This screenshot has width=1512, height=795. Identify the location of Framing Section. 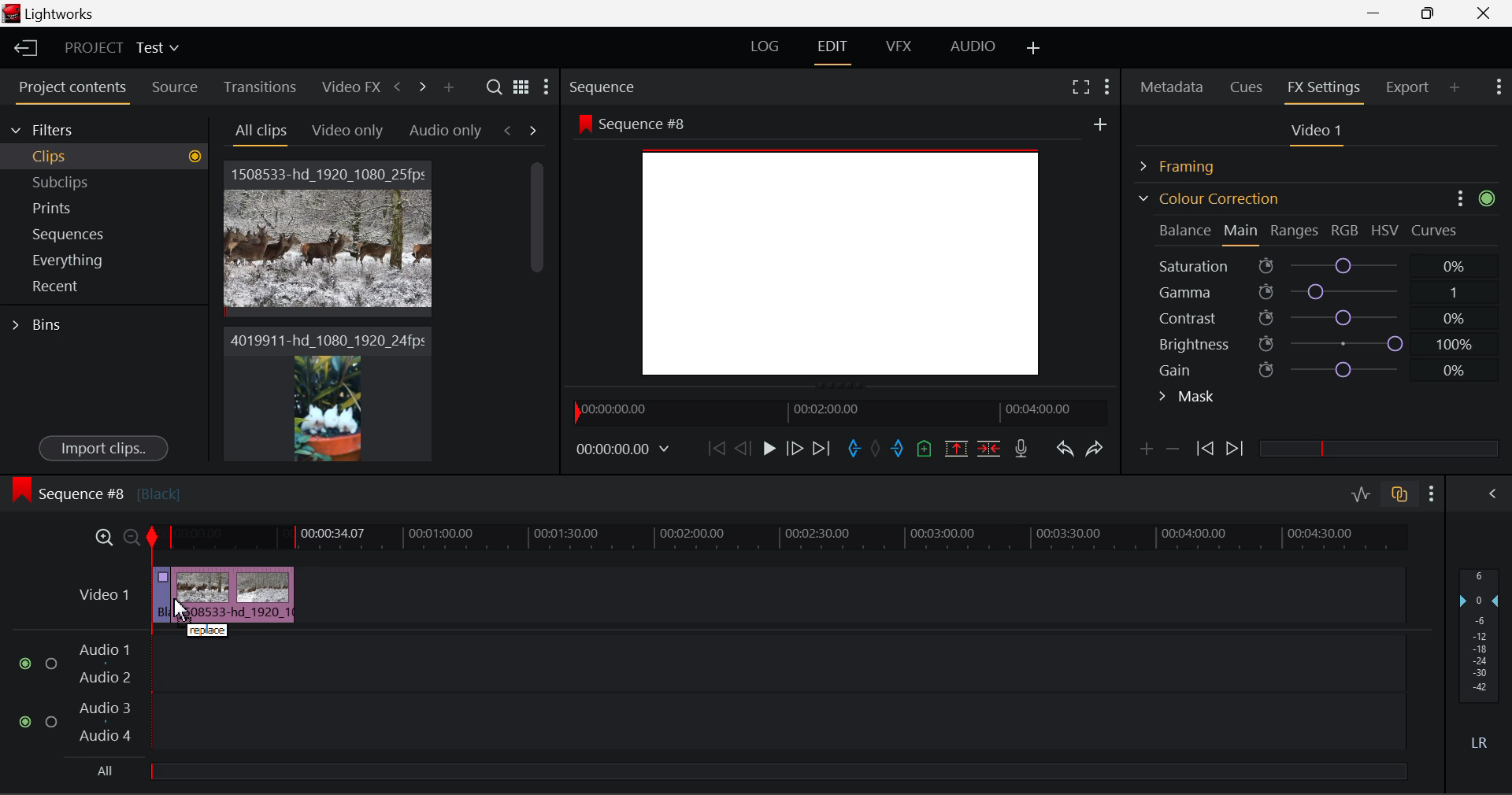
(1190, 164).